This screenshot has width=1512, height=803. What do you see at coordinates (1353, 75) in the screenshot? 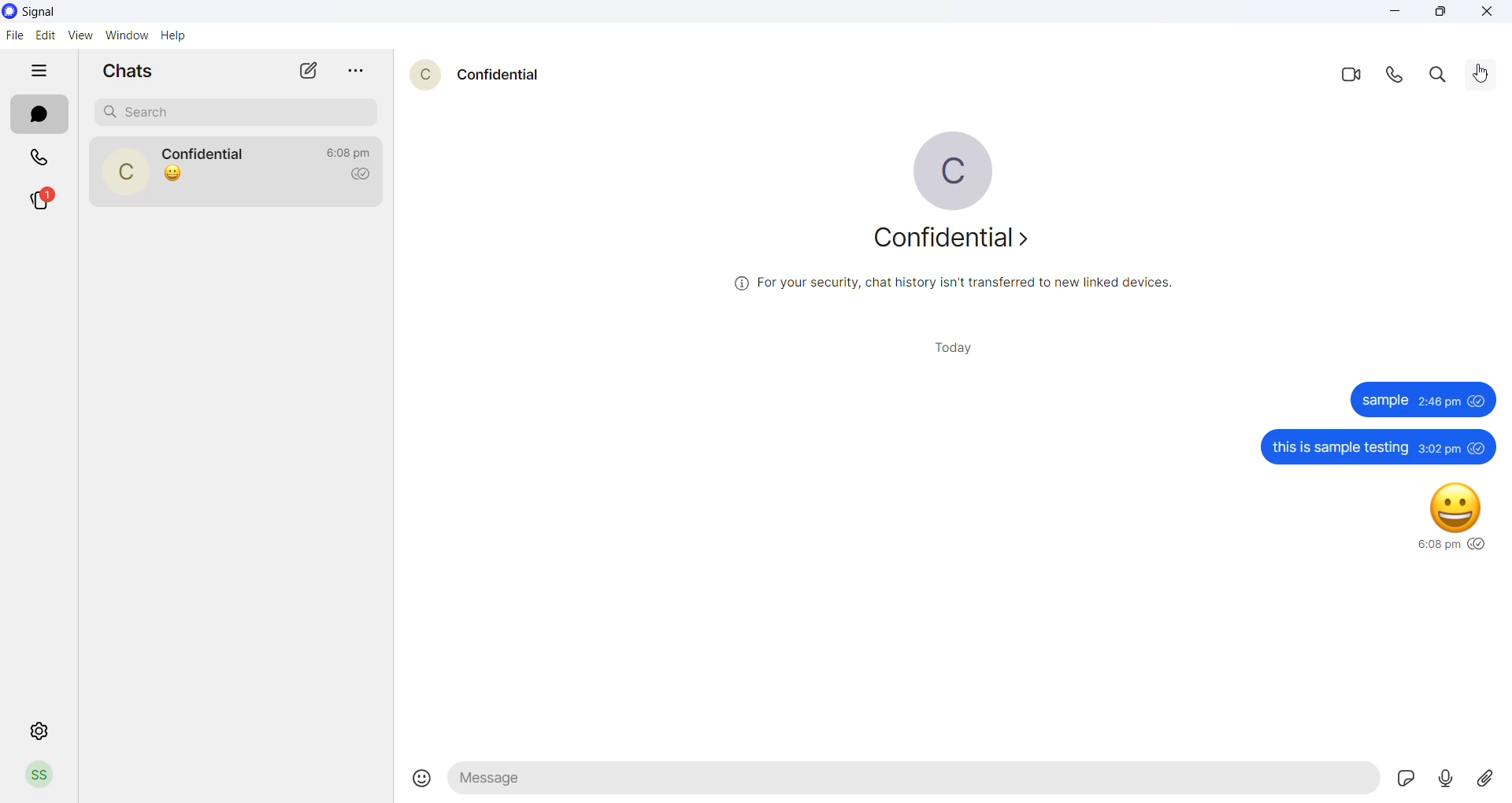
I see `video call` at bounding box center [1353, 75].